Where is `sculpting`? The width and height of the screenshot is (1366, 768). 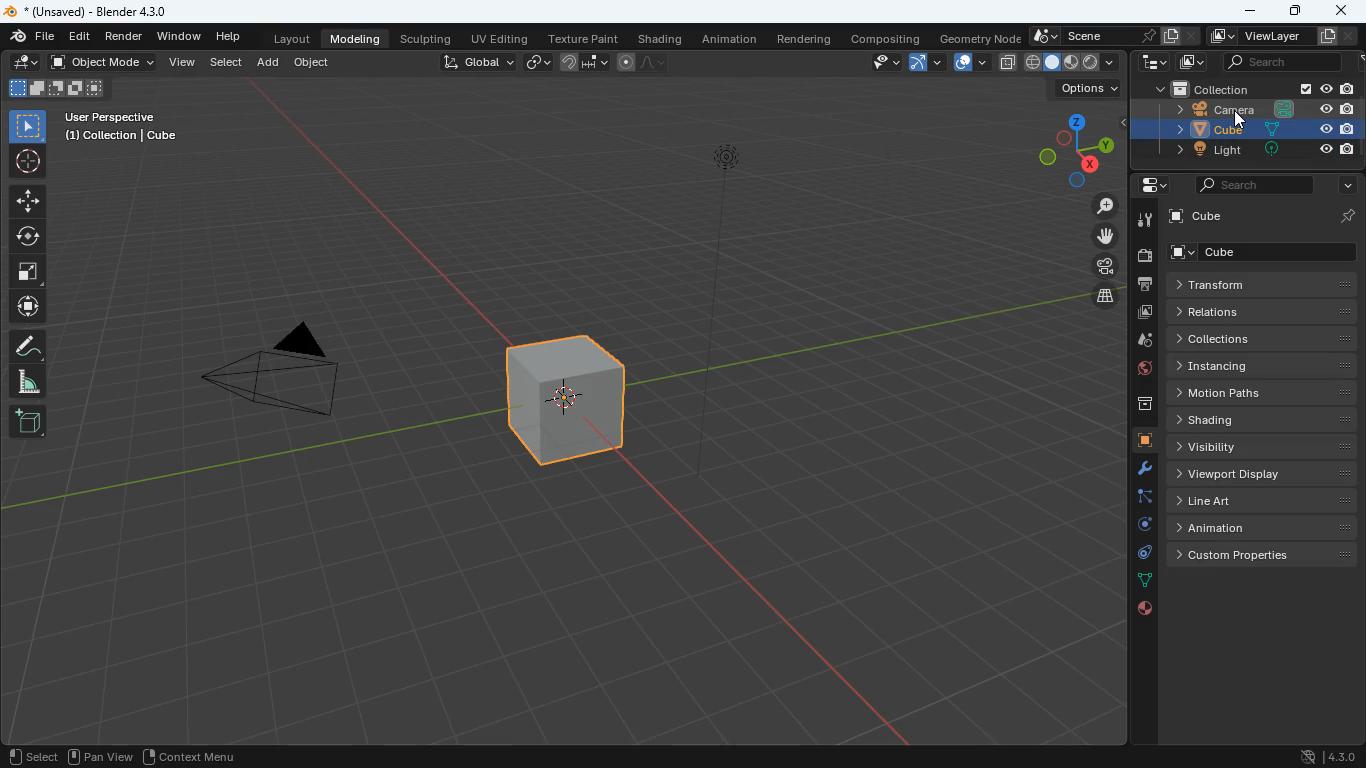
sculpting is located at coordinates (426, 39).